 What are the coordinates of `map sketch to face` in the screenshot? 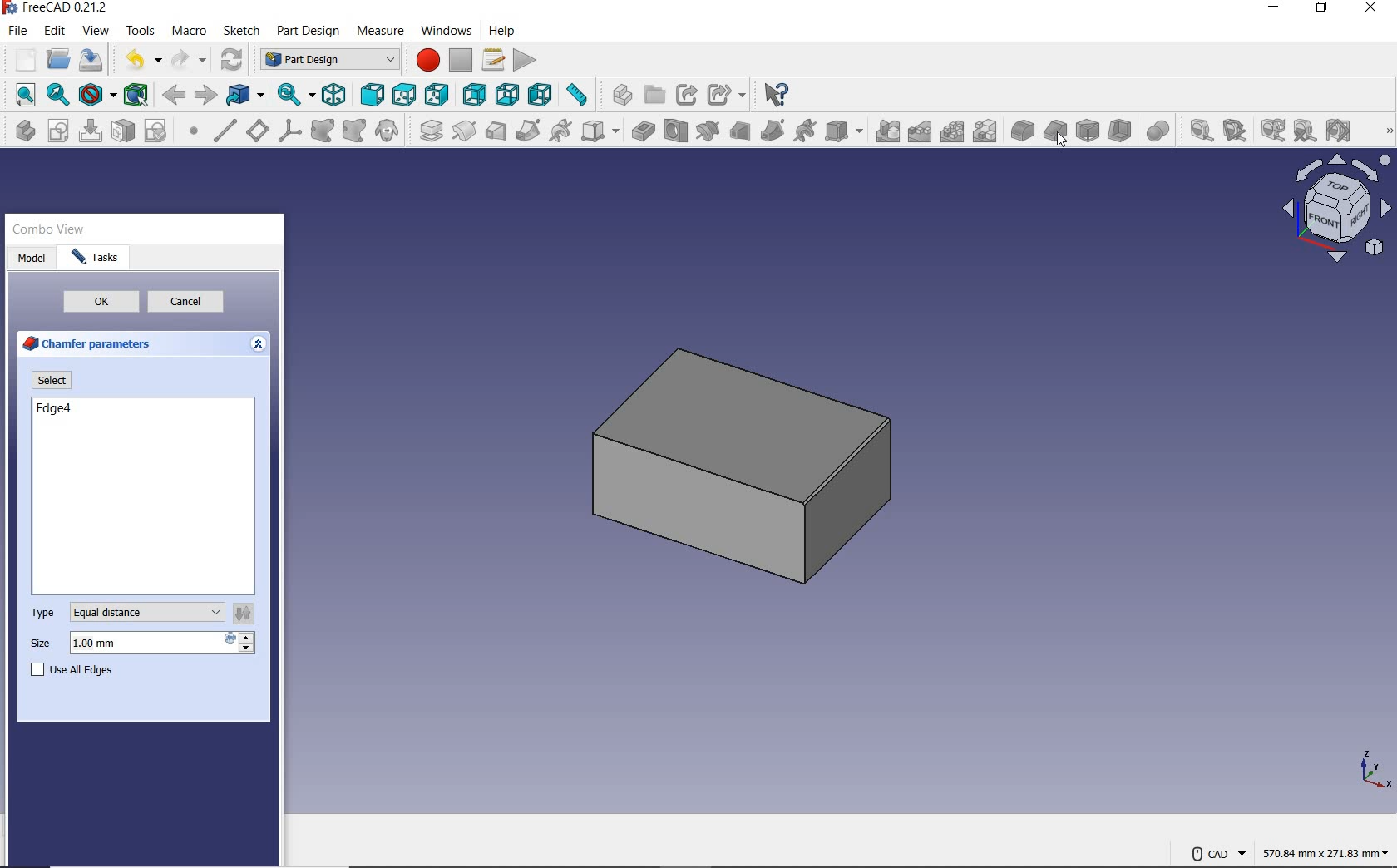 It's located at (124, 133).